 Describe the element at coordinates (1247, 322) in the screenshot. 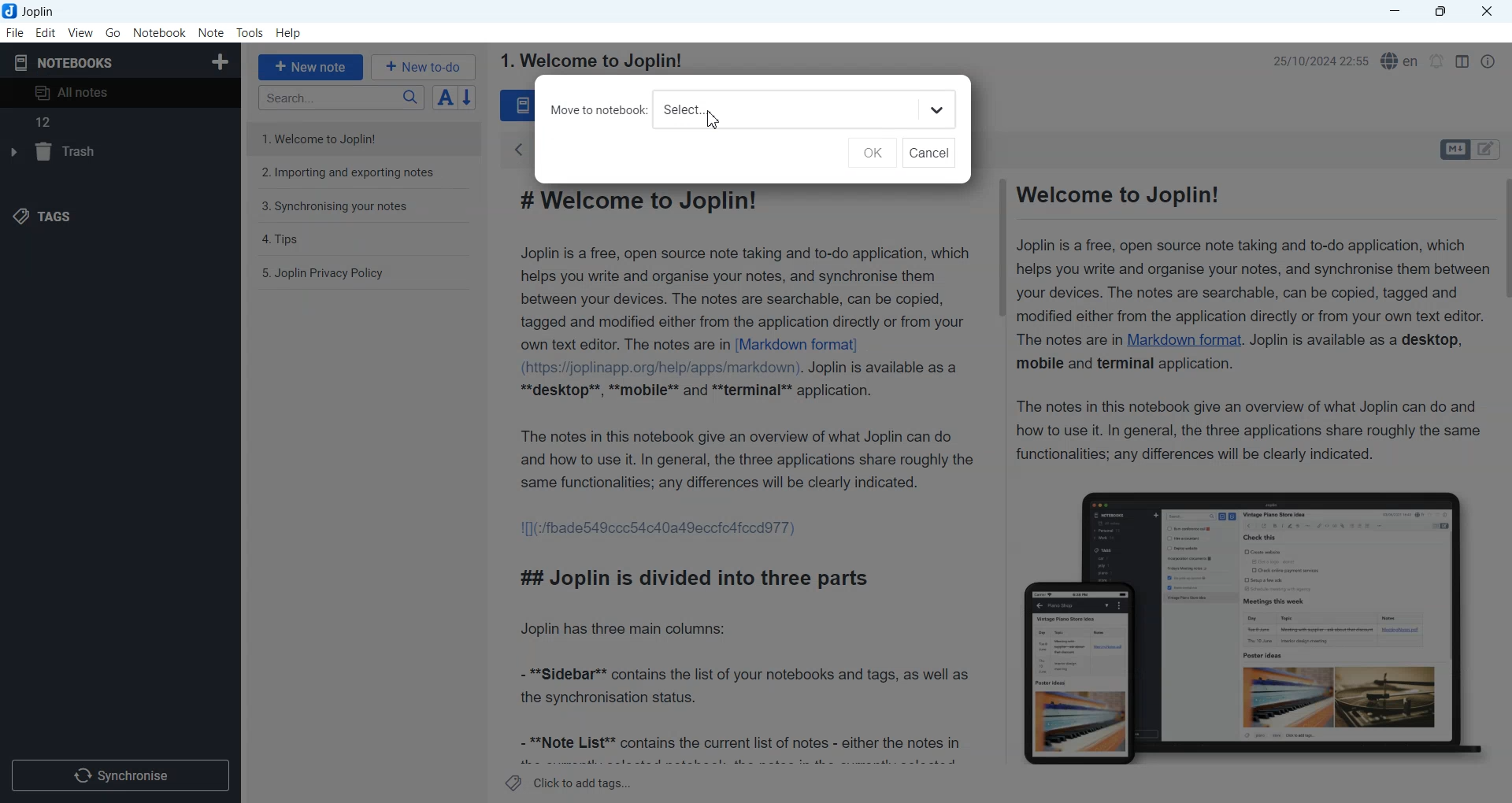

I see `Welcome to Joplin!

Joplin is a free, open source note taking and to-do application, which
helps you write and organise your notes, and synchronise them between
your devices. The notes are searchable, can be copied, tagged and
modified either from the application directly or from your own text editor.
The notes are in Markdown format. Joplin is available as a desktop,
mobile and terminal application.

The notes in this notebook give an overview of what Joplin can do and
how to use it. In general, the three applications share roughly the same
functionalities; any differences will be clearly indicated.` at that location.